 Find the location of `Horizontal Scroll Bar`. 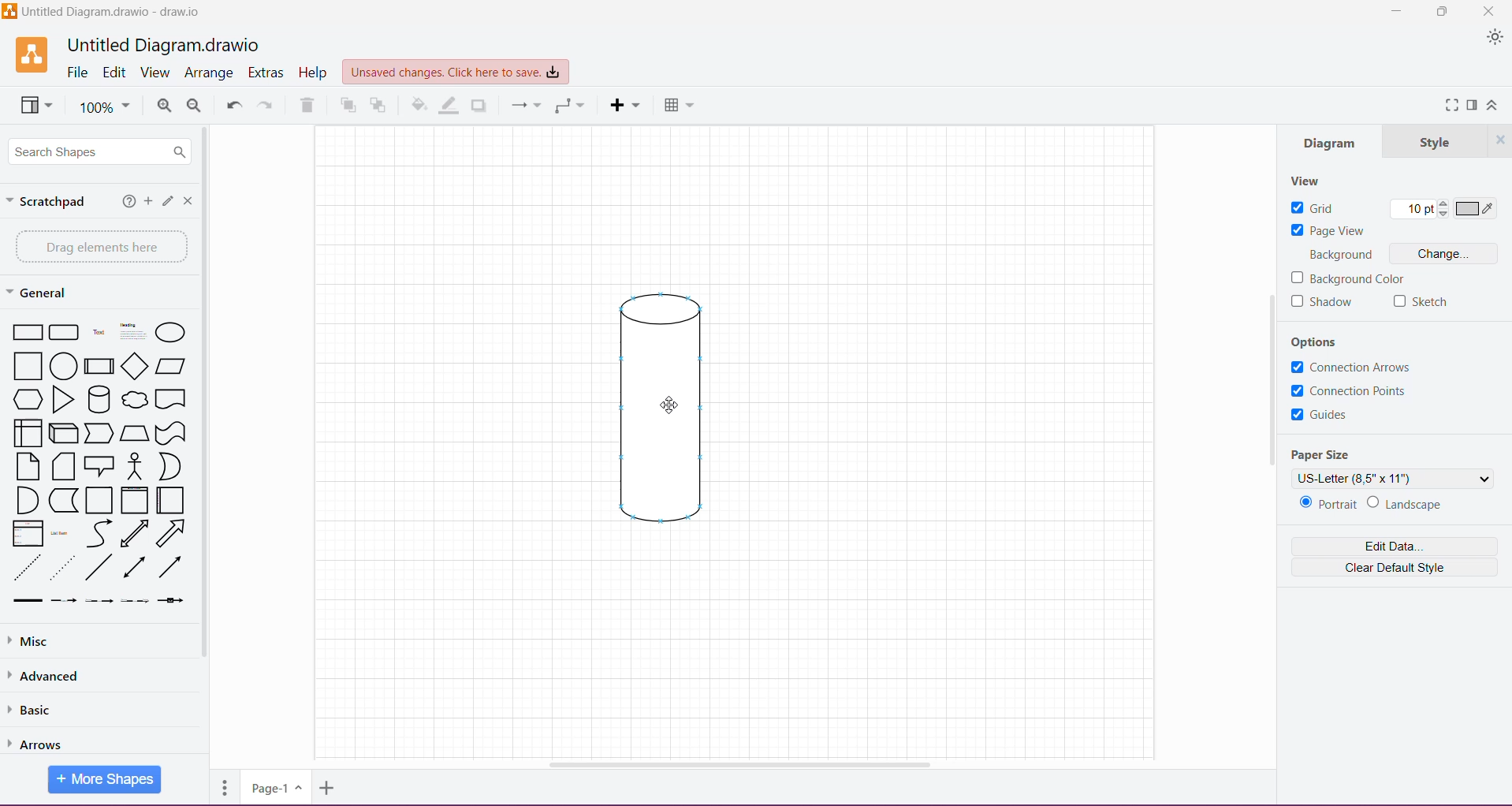

Horizontal Scroll Bar is located at coordinates (744, 765).